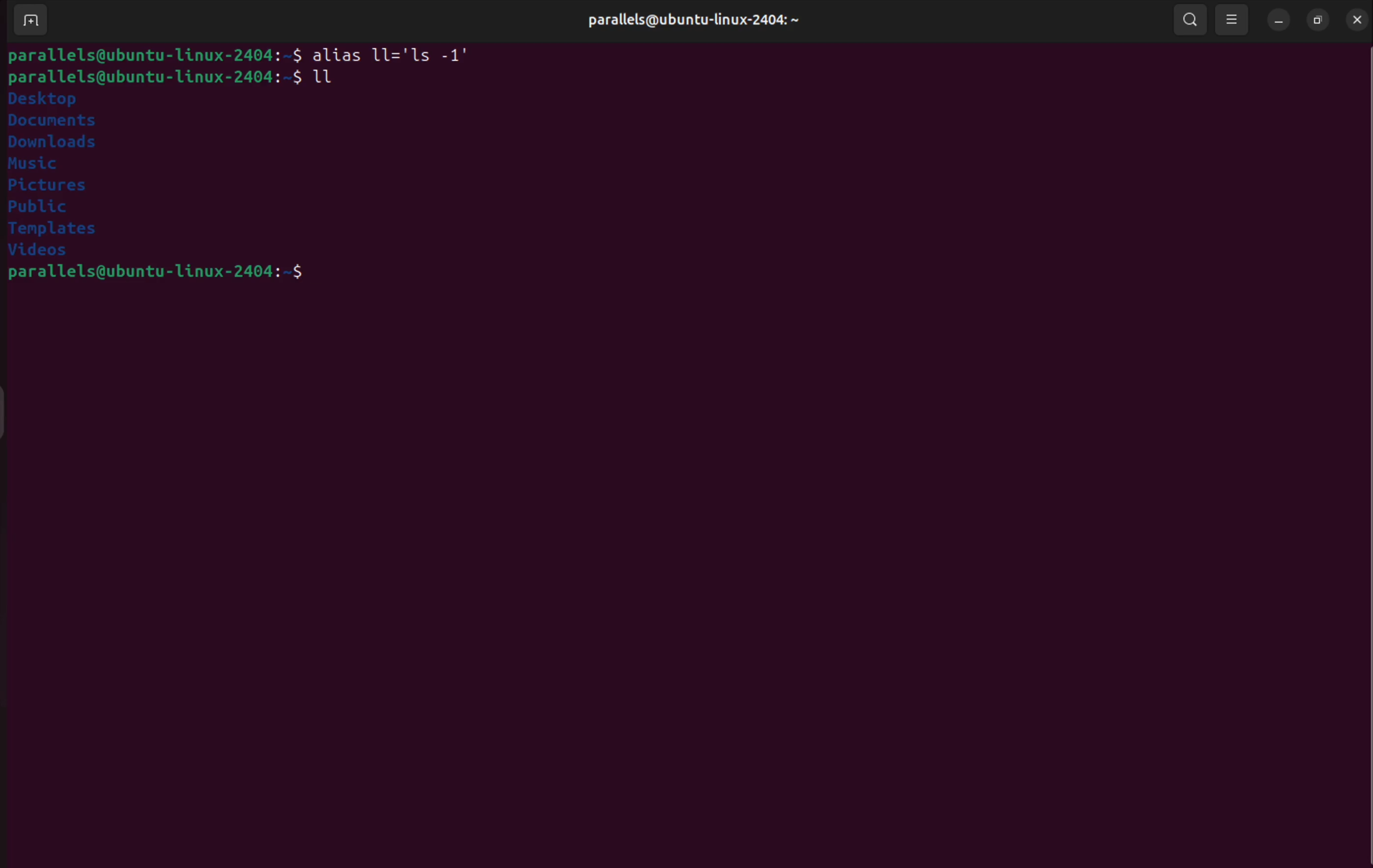 Image resolution: width=1373 pixels, height=868 pixels. Describe the element at coordinates (48, 99) in the screenshot. I see `desktop` at that location.